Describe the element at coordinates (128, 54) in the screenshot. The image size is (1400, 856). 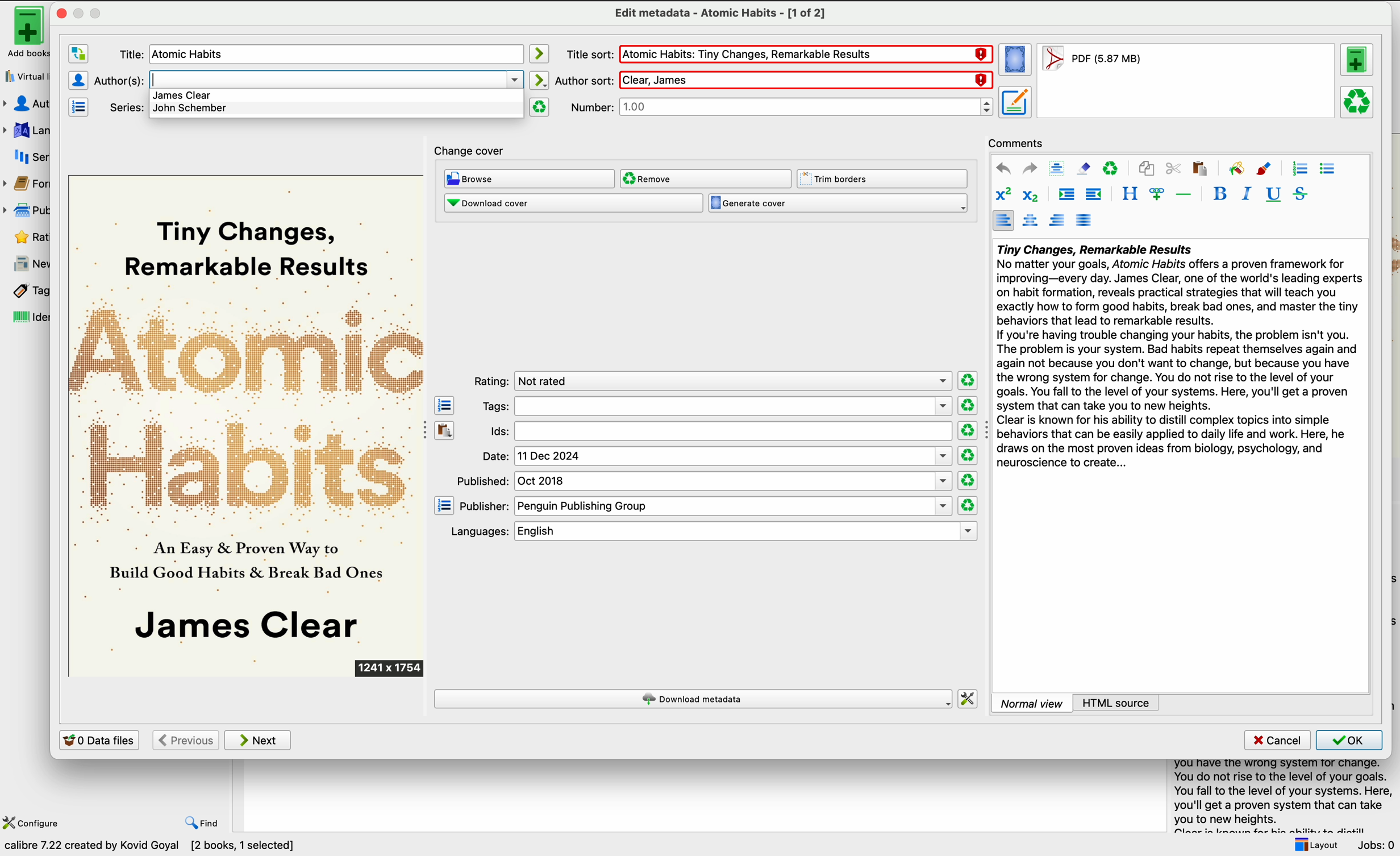
I see `click on author` at that location.